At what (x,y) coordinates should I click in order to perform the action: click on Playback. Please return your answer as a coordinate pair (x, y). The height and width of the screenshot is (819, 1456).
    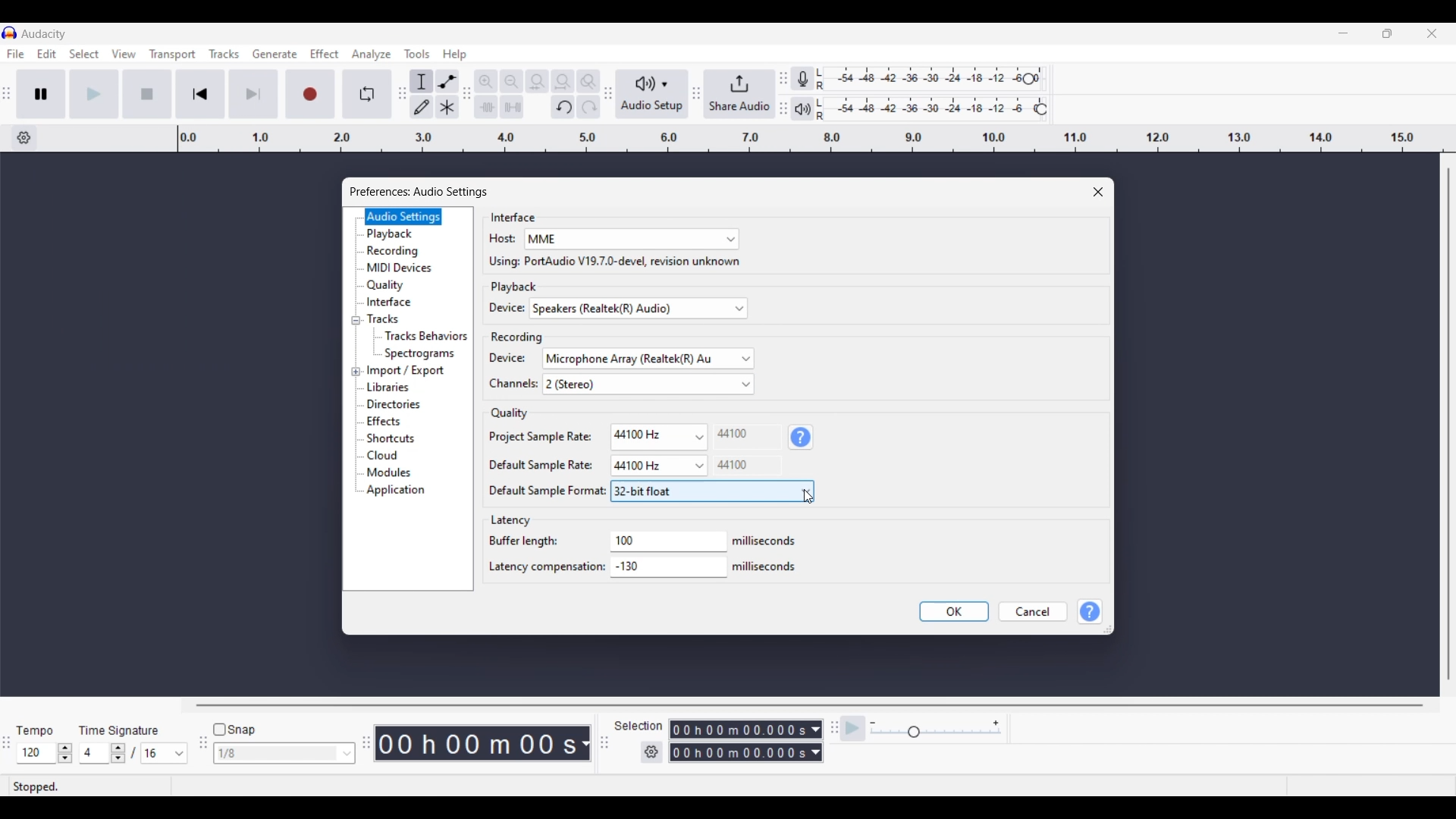
    Looking at the image, I should click on (403, 234).